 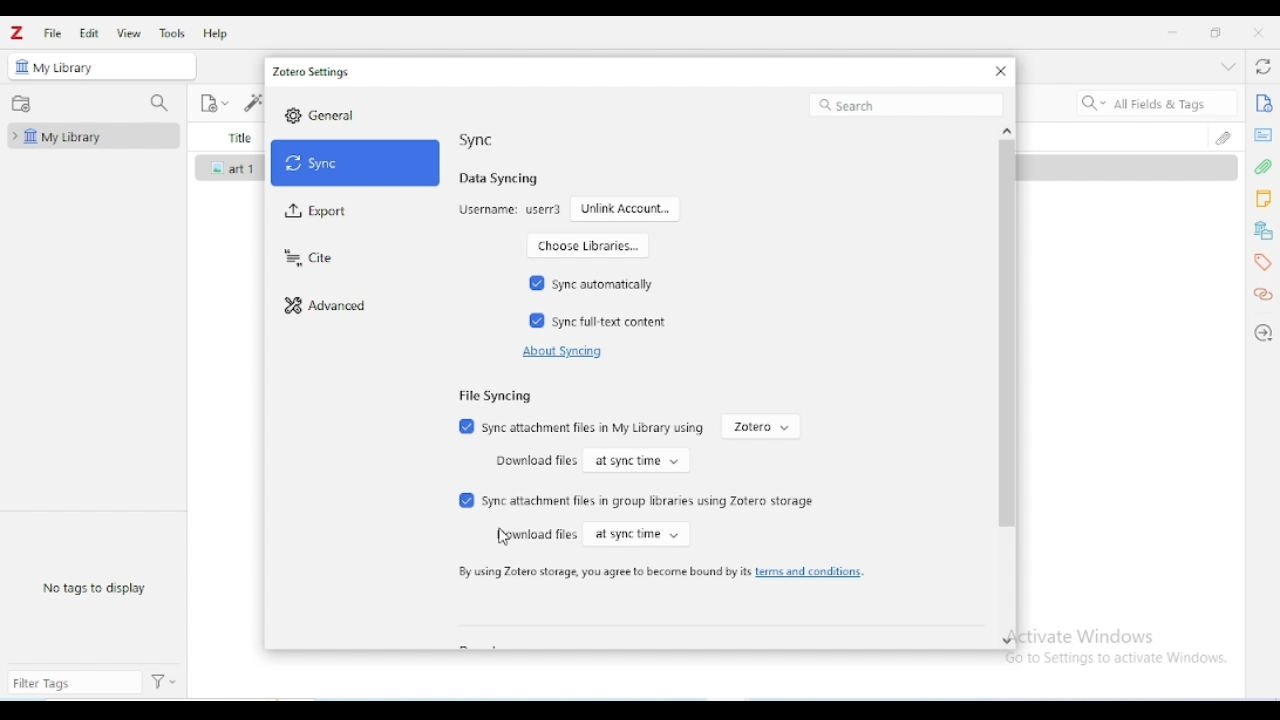 What do you see at coordinates (238, 137) in the screenshot?
I see `title` at bounding box center [238, 137].